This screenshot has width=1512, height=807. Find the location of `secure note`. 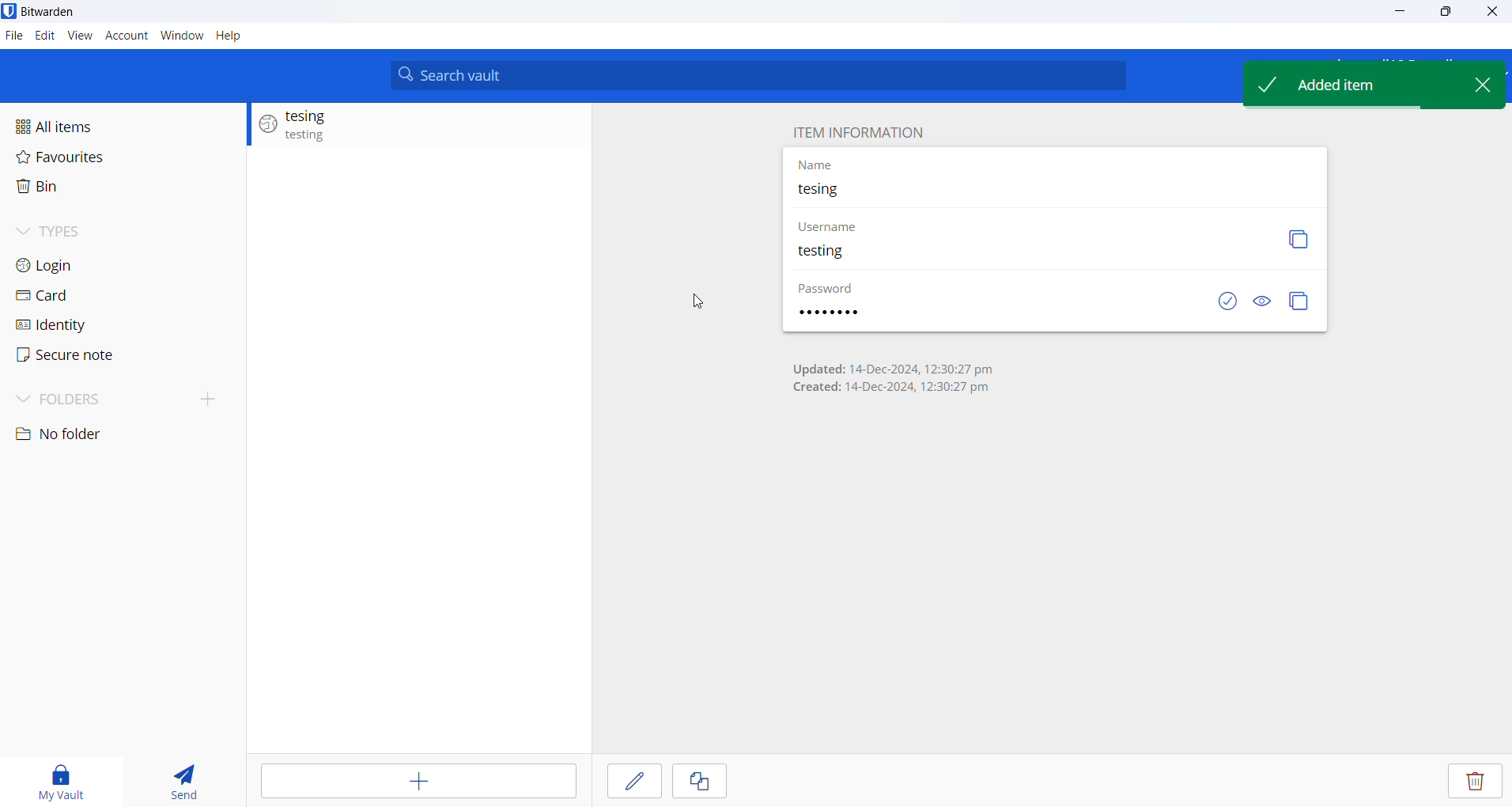

secure note is located at coordinates (85, 358).